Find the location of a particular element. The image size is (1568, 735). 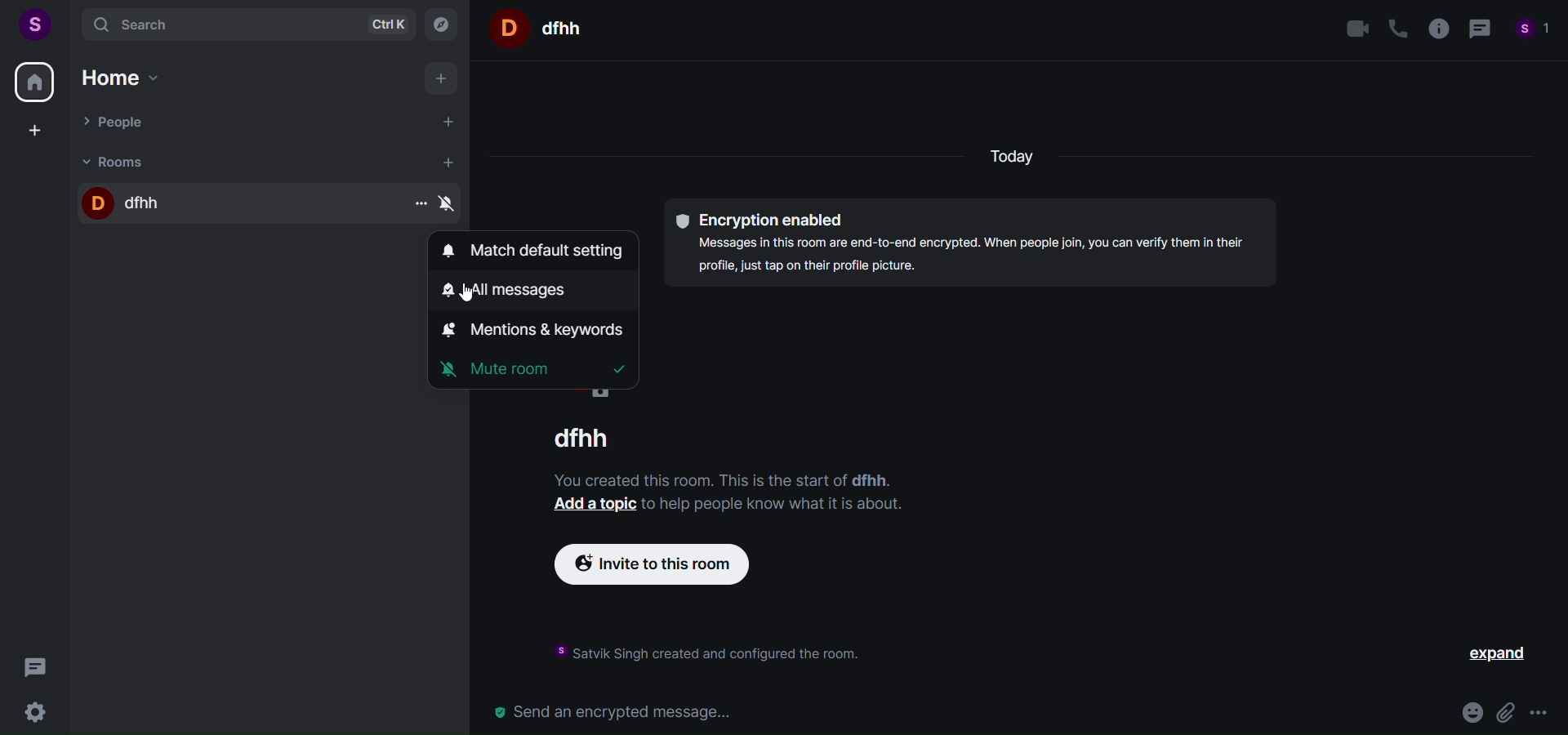

add is located at coordinates (440, 81).